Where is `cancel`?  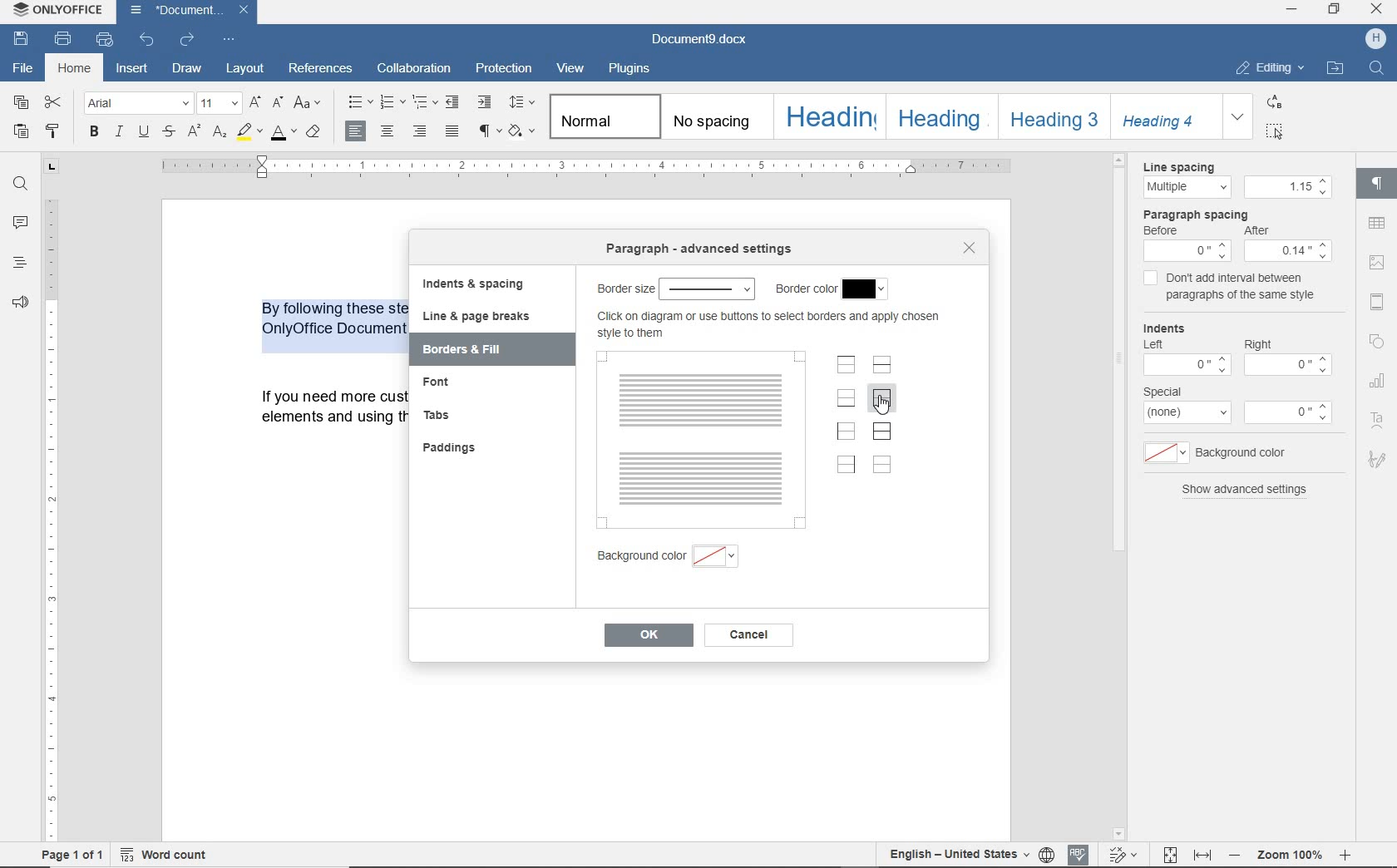 cancel is located at coordinates (749, 634).